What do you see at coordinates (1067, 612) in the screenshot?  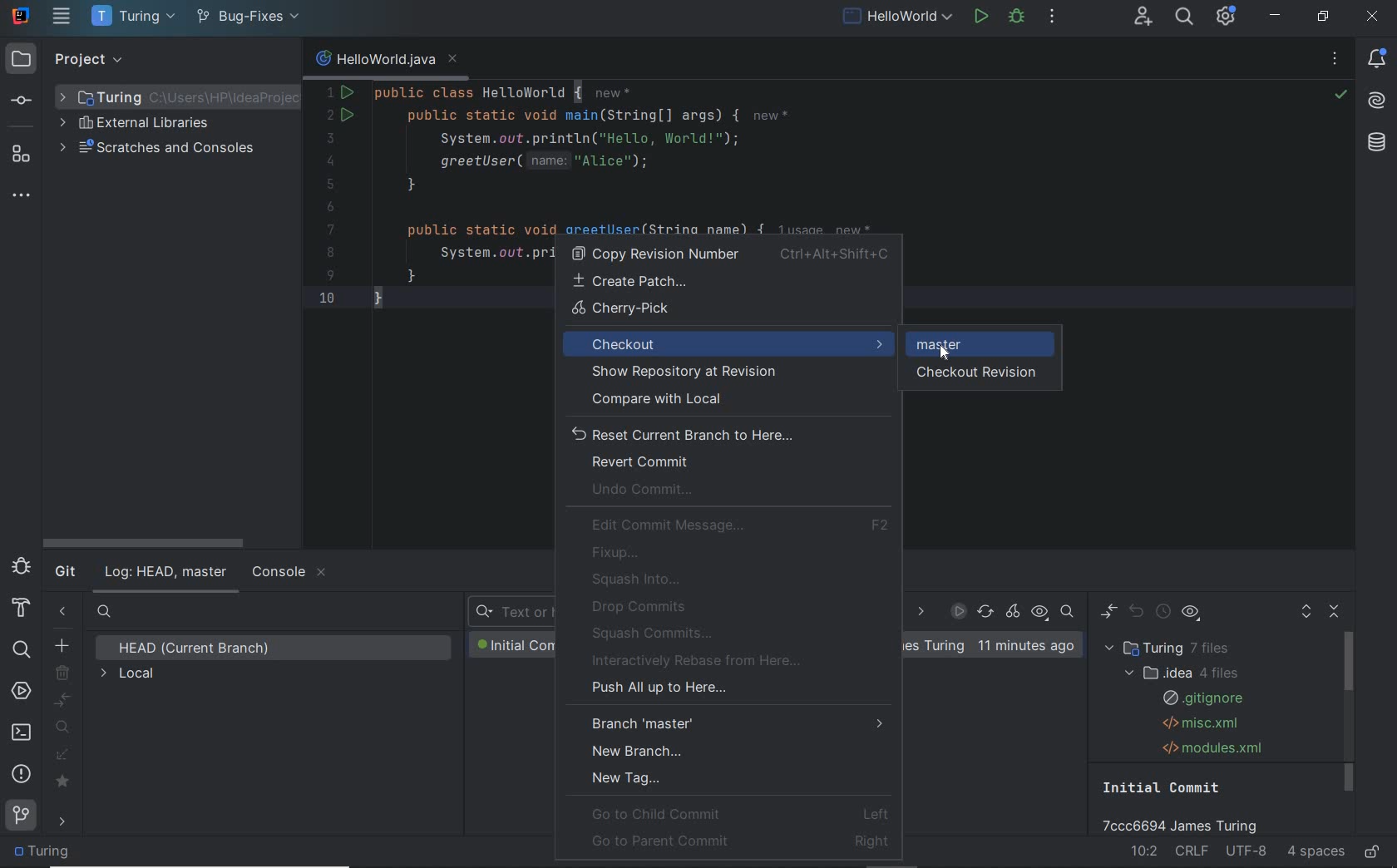 I see `go to hash/branch` at bounding box center [1067, 612].